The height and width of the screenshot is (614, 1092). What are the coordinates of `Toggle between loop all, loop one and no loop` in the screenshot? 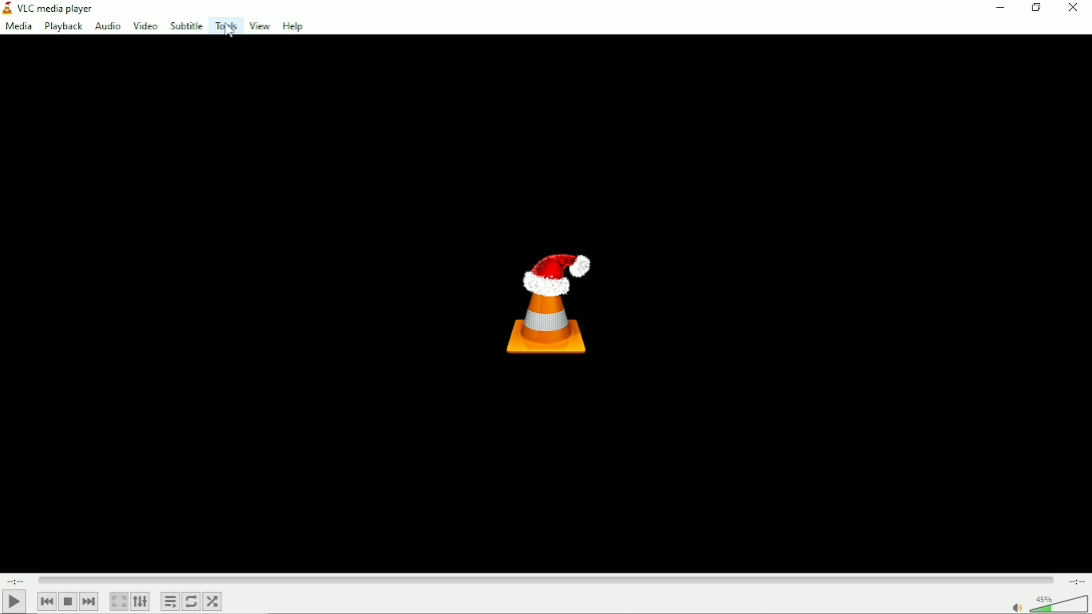 It's located at (191, 601).